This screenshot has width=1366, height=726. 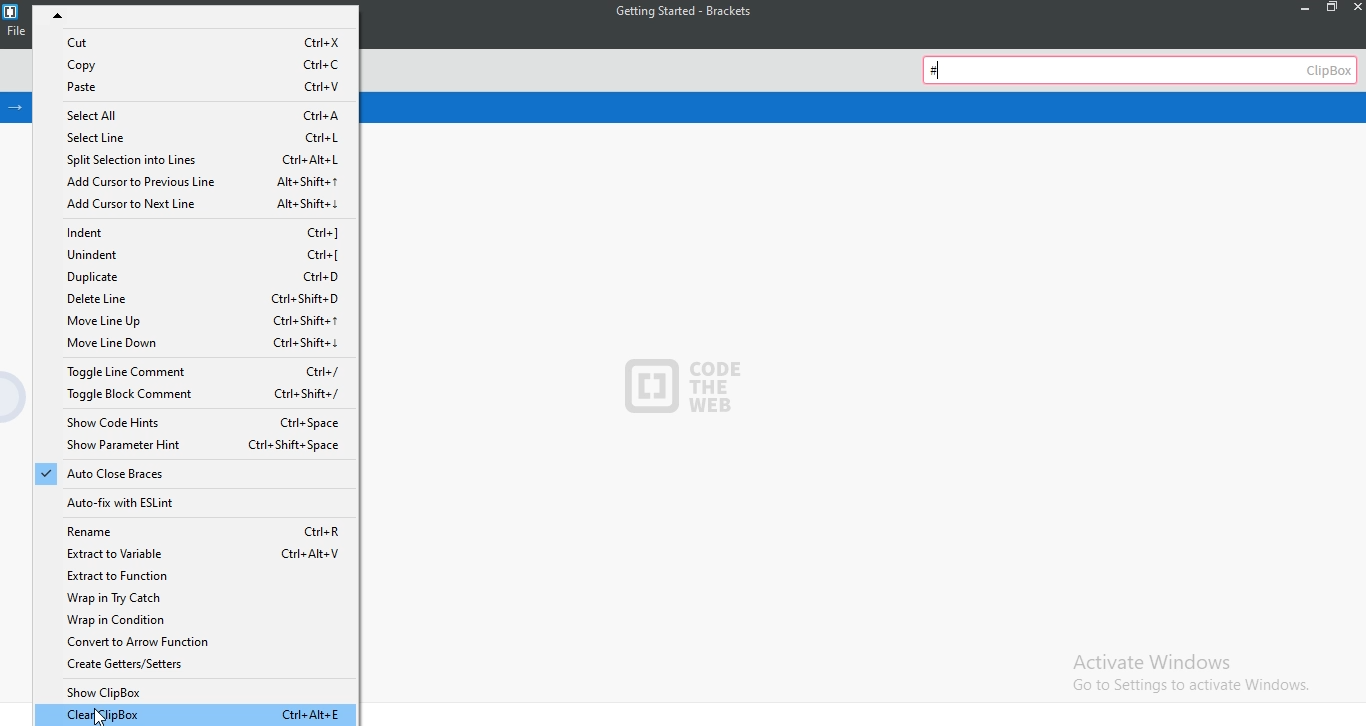 What do you see at coordinates (199, 575) in the screenshot?
I see `Extract to function` at bounding box center [199, 575].